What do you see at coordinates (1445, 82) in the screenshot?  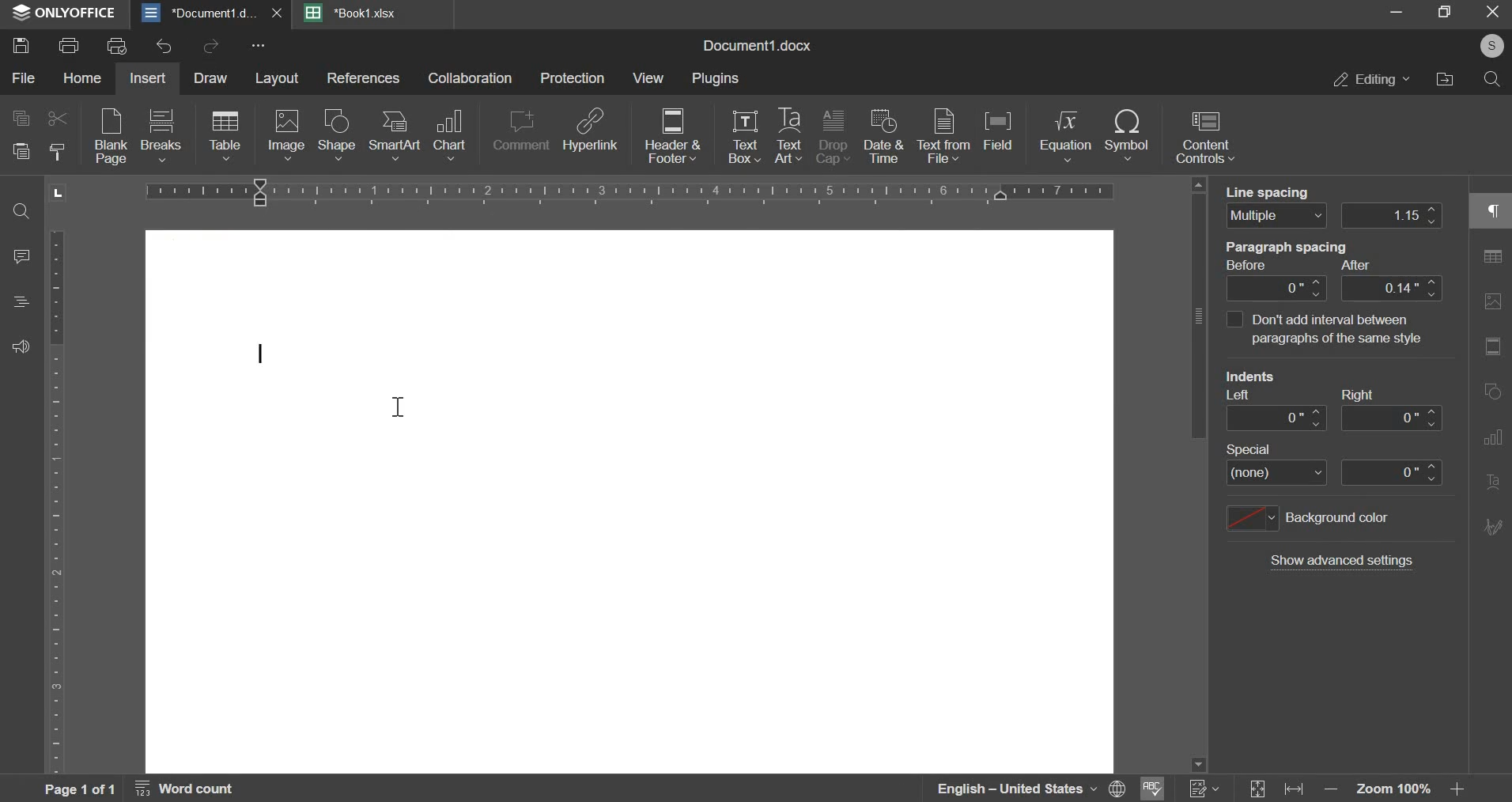 I see `file location` at bounding box center [1445, 82].